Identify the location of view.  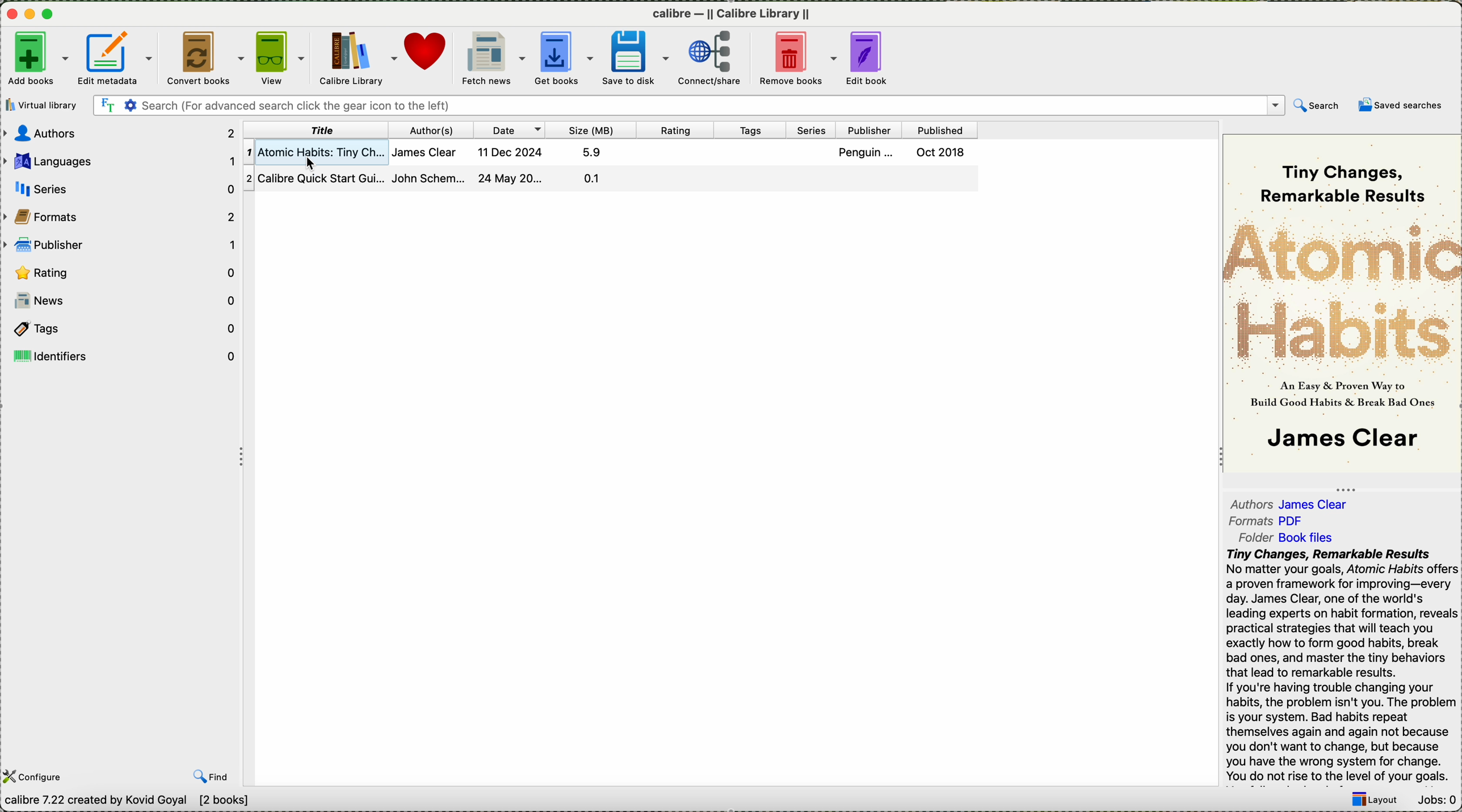
(283, 57).